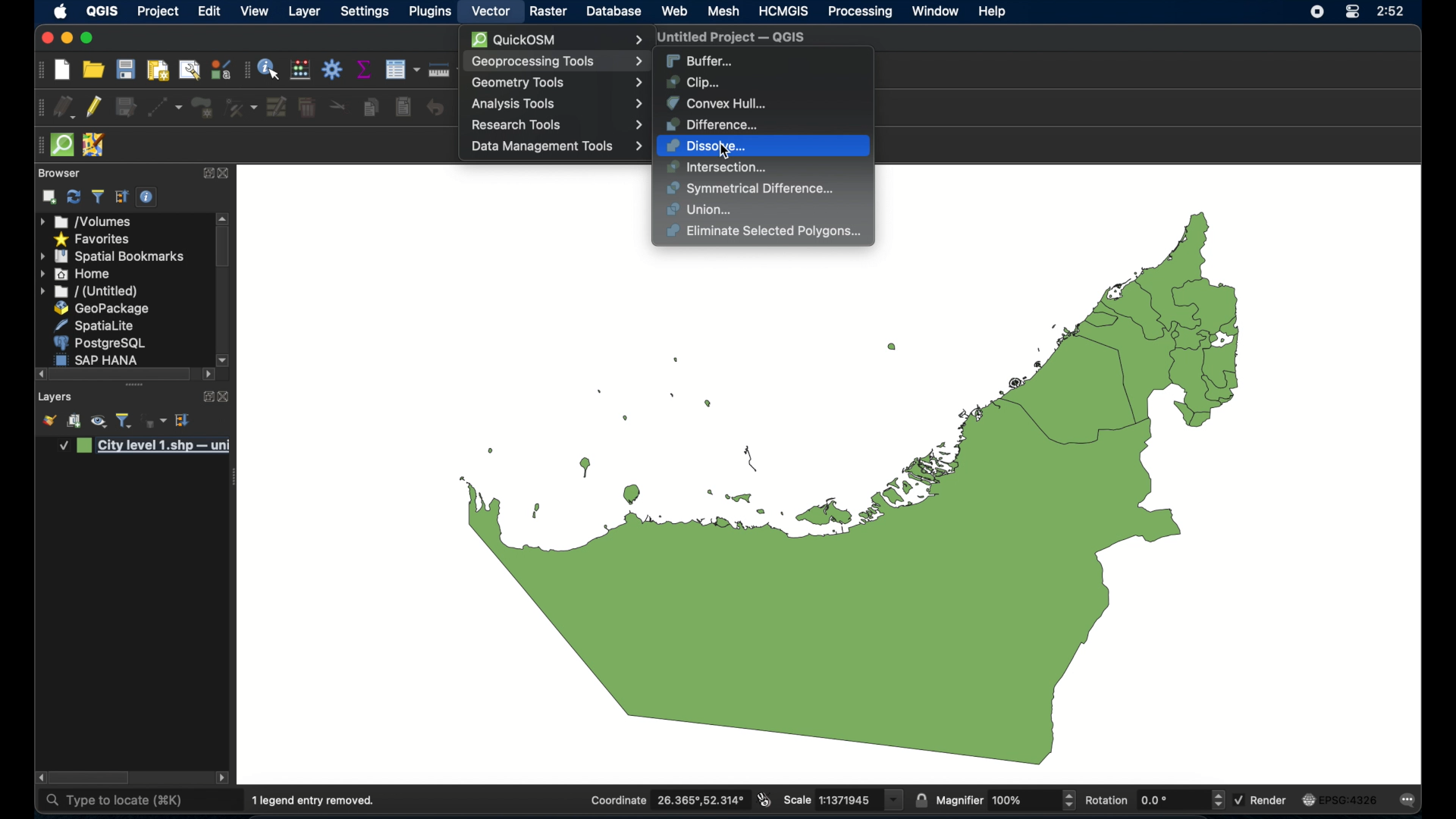  Describe the element at coordinates (300, 70) in the screenshot. I see `open field calculator` at that location.